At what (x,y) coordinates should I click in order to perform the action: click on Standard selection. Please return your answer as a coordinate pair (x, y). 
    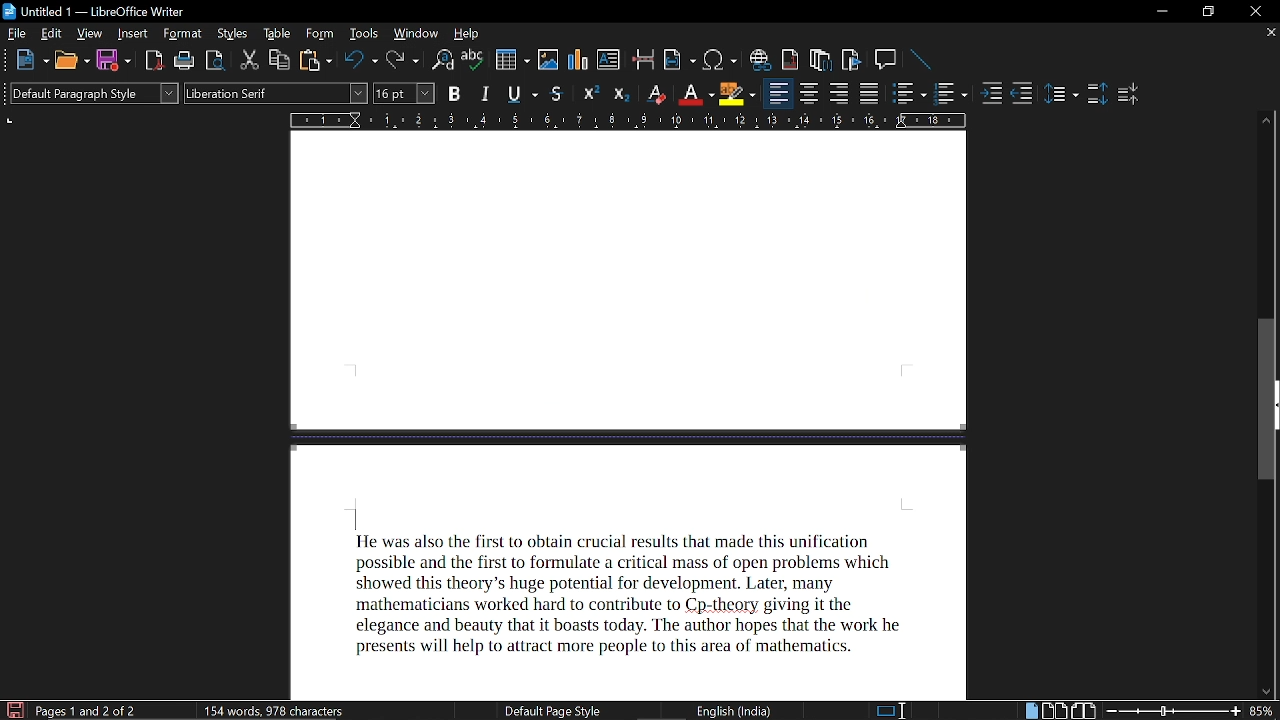
    Looking at the image, I should click on (883, 711).